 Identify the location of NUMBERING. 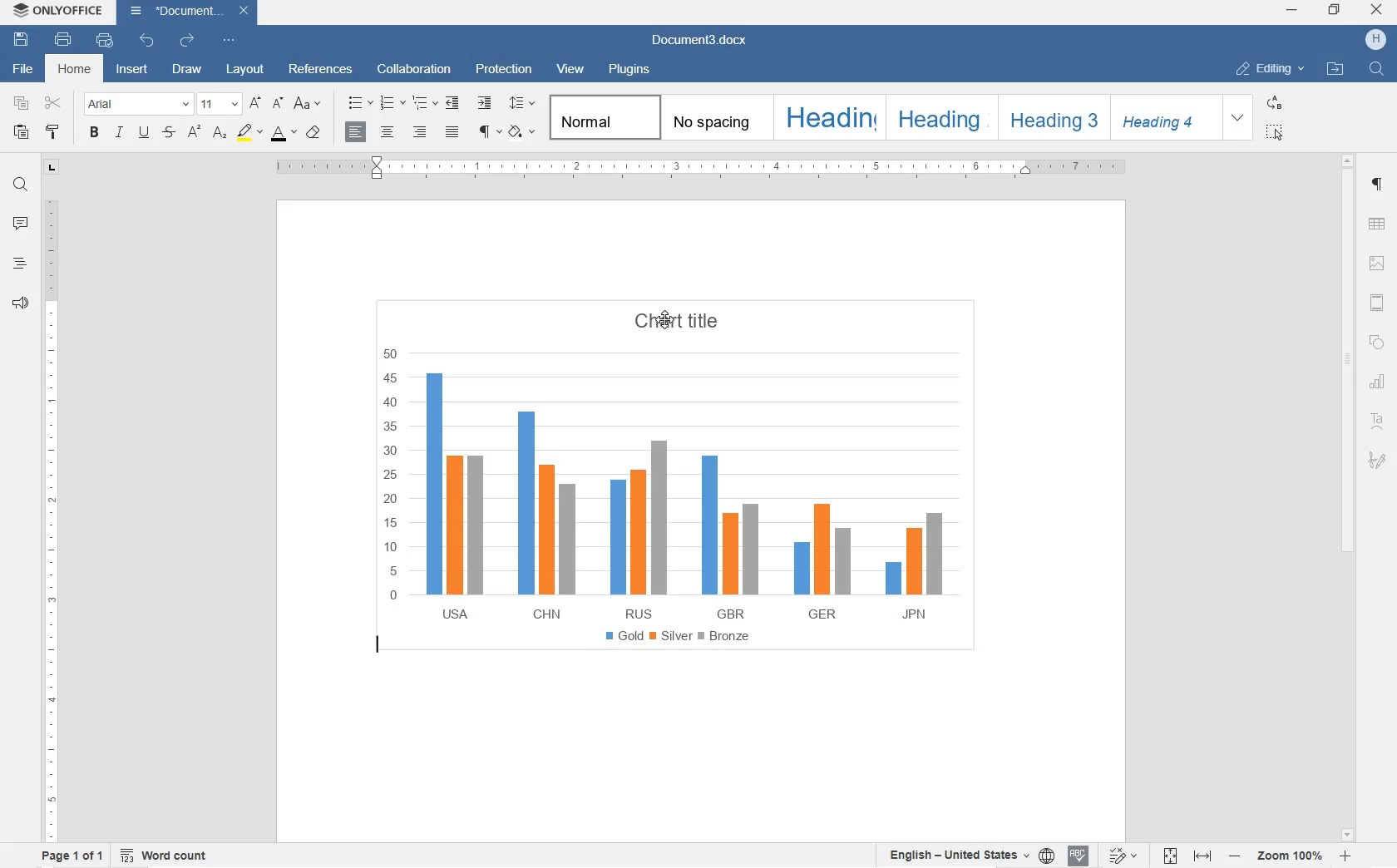
(392, 104).